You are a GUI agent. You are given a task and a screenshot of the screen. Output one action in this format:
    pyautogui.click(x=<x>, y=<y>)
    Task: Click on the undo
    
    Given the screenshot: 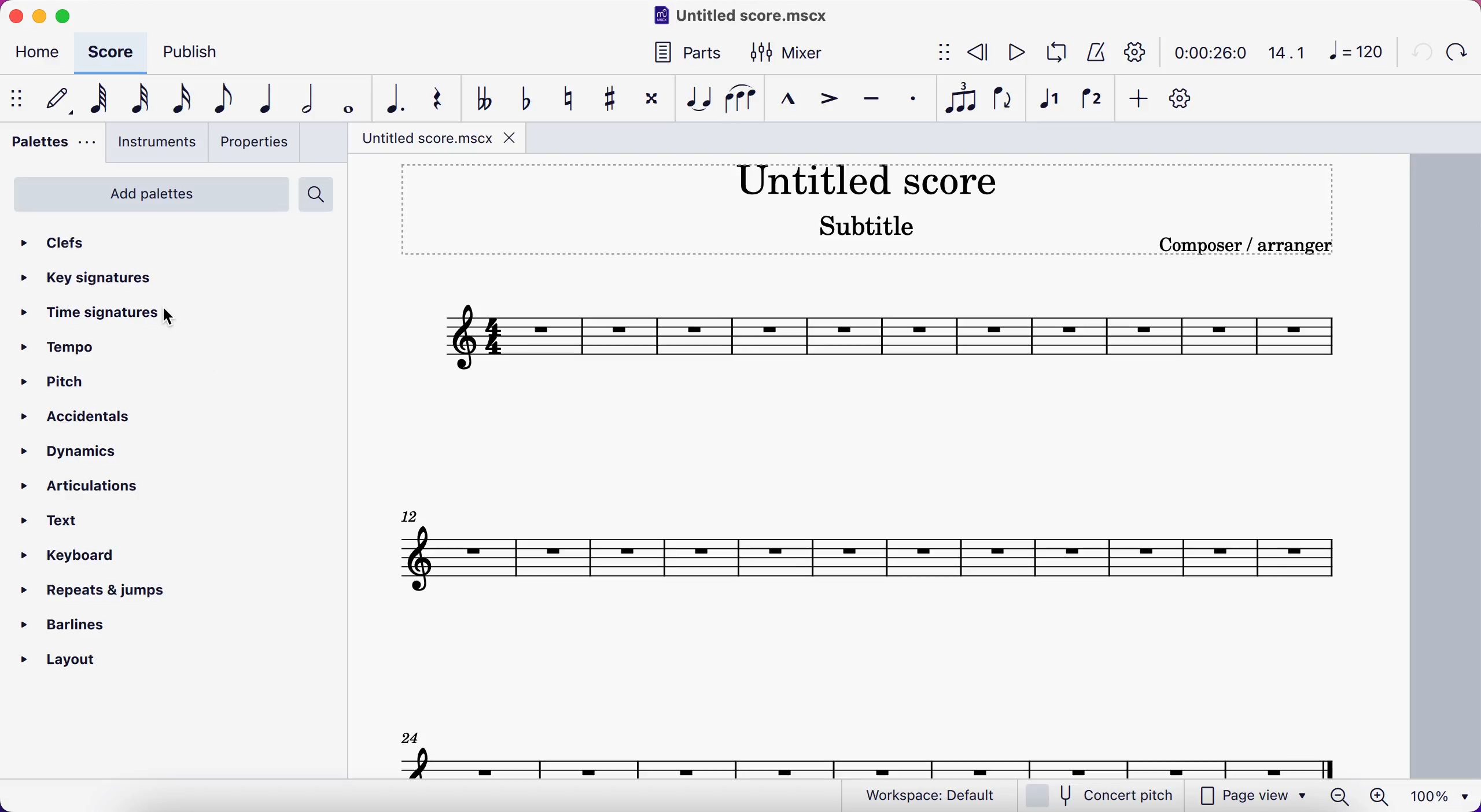 What is the action you would take?
    pyautogui.click(x=1420, y=50)
    